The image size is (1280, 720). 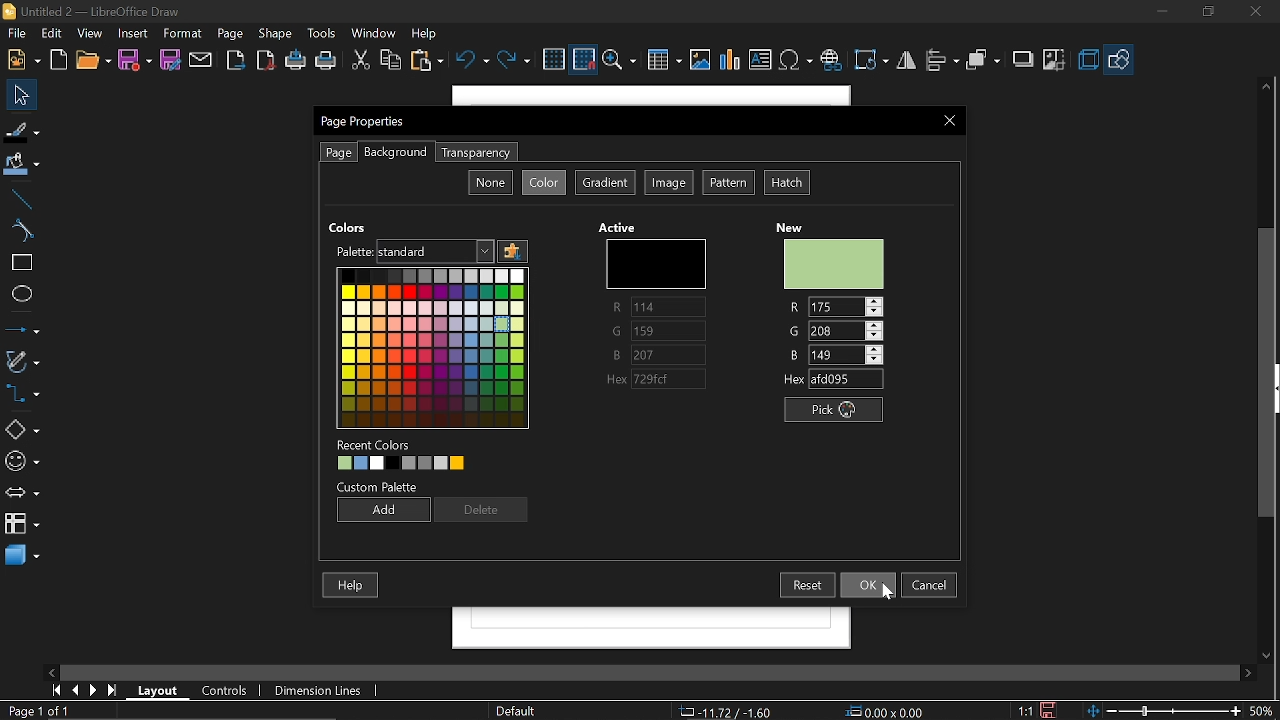 What do you see at coordinates (438, 465) in the screenshot?
I see `Recent colors` at bounding box center [438, 465].